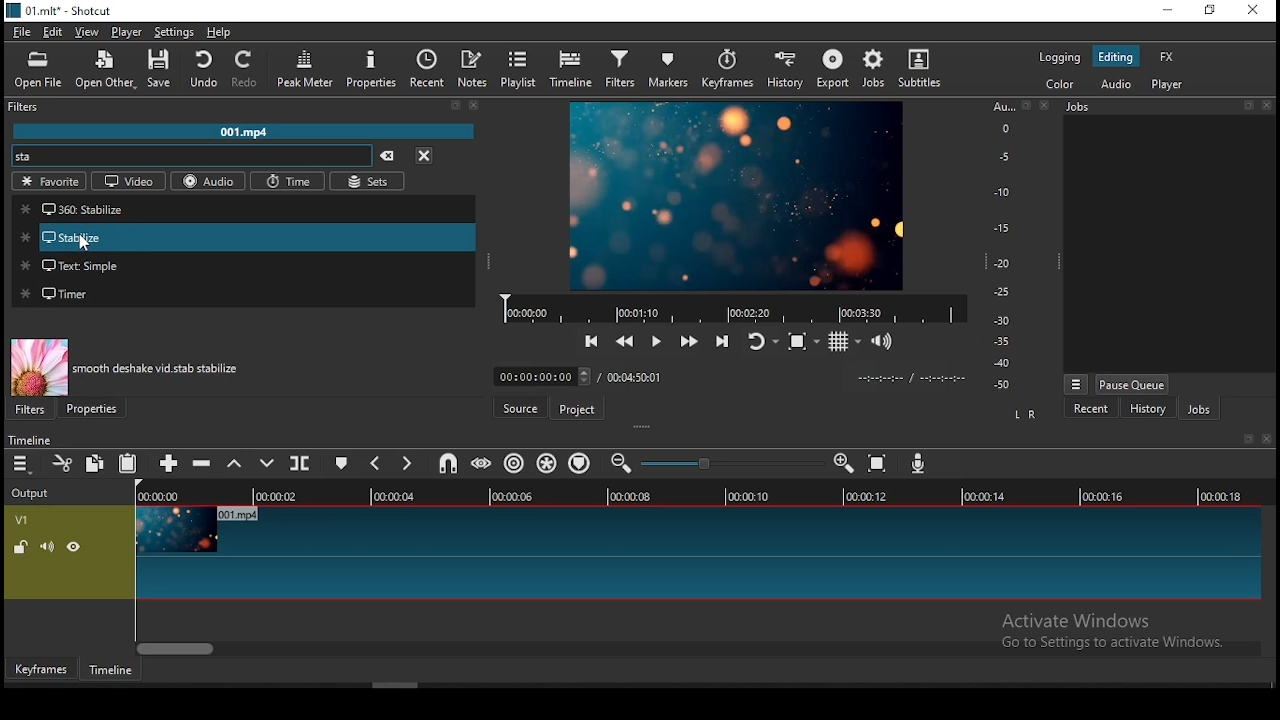  I want to click on color, so click(1059, 82).